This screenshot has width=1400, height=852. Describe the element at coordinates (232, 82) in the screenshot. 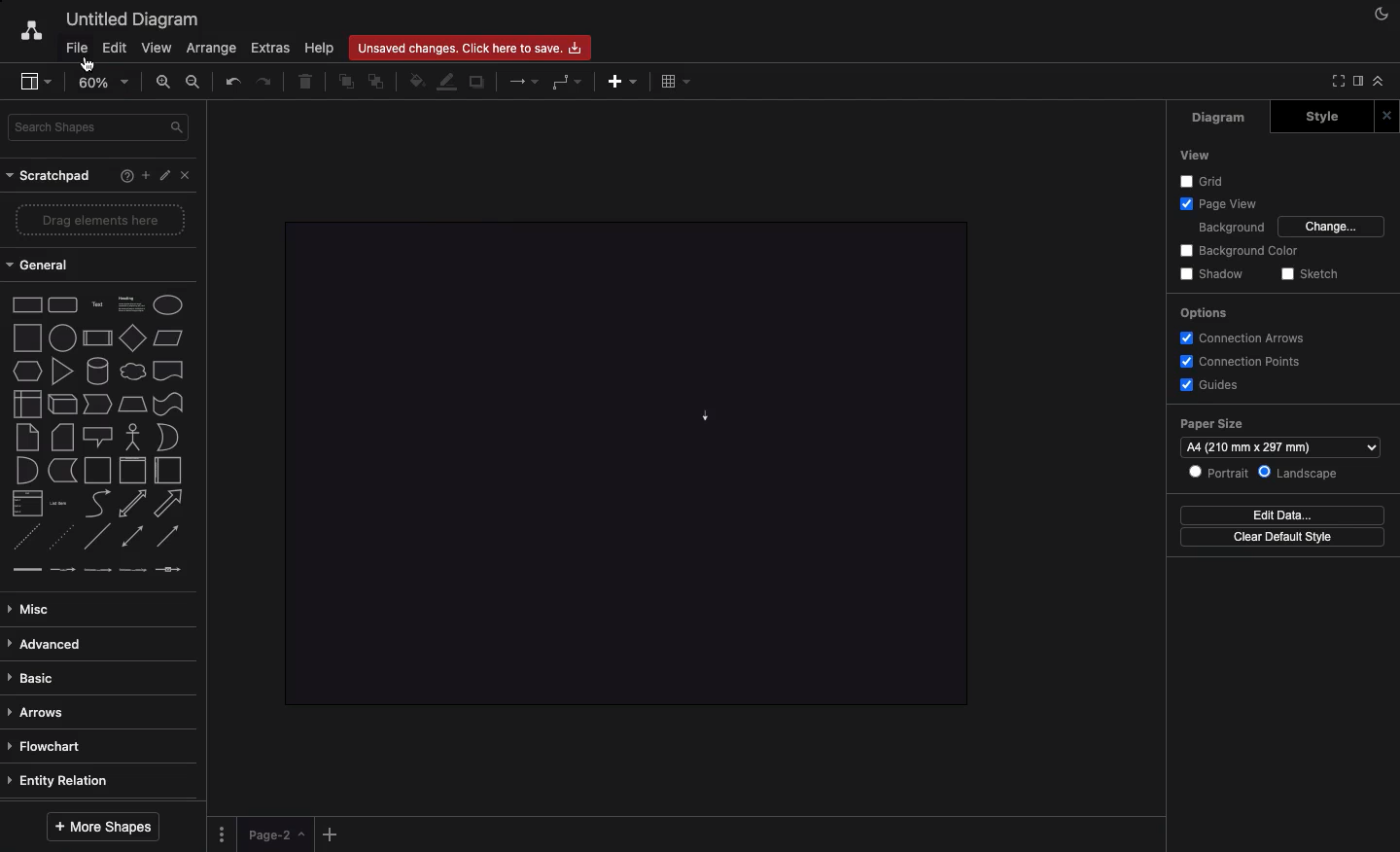

I see `Undo` at that location.